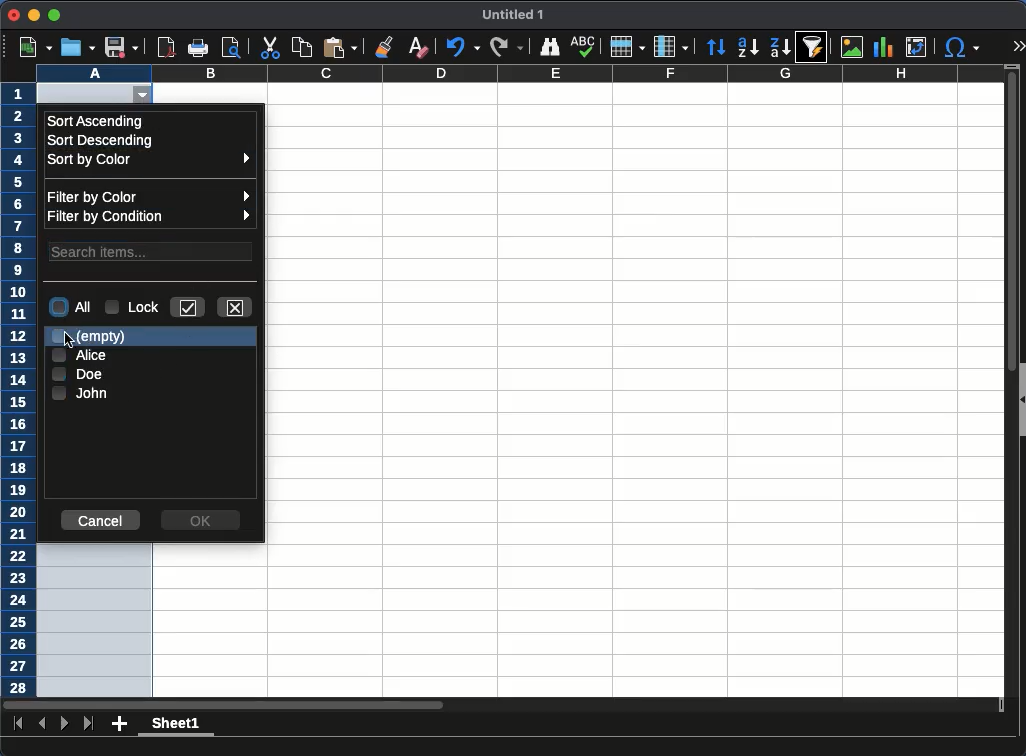 Image resolution: width=1026 pixels, height=756 pixels. I want to click on maximize, so click(53, 15).